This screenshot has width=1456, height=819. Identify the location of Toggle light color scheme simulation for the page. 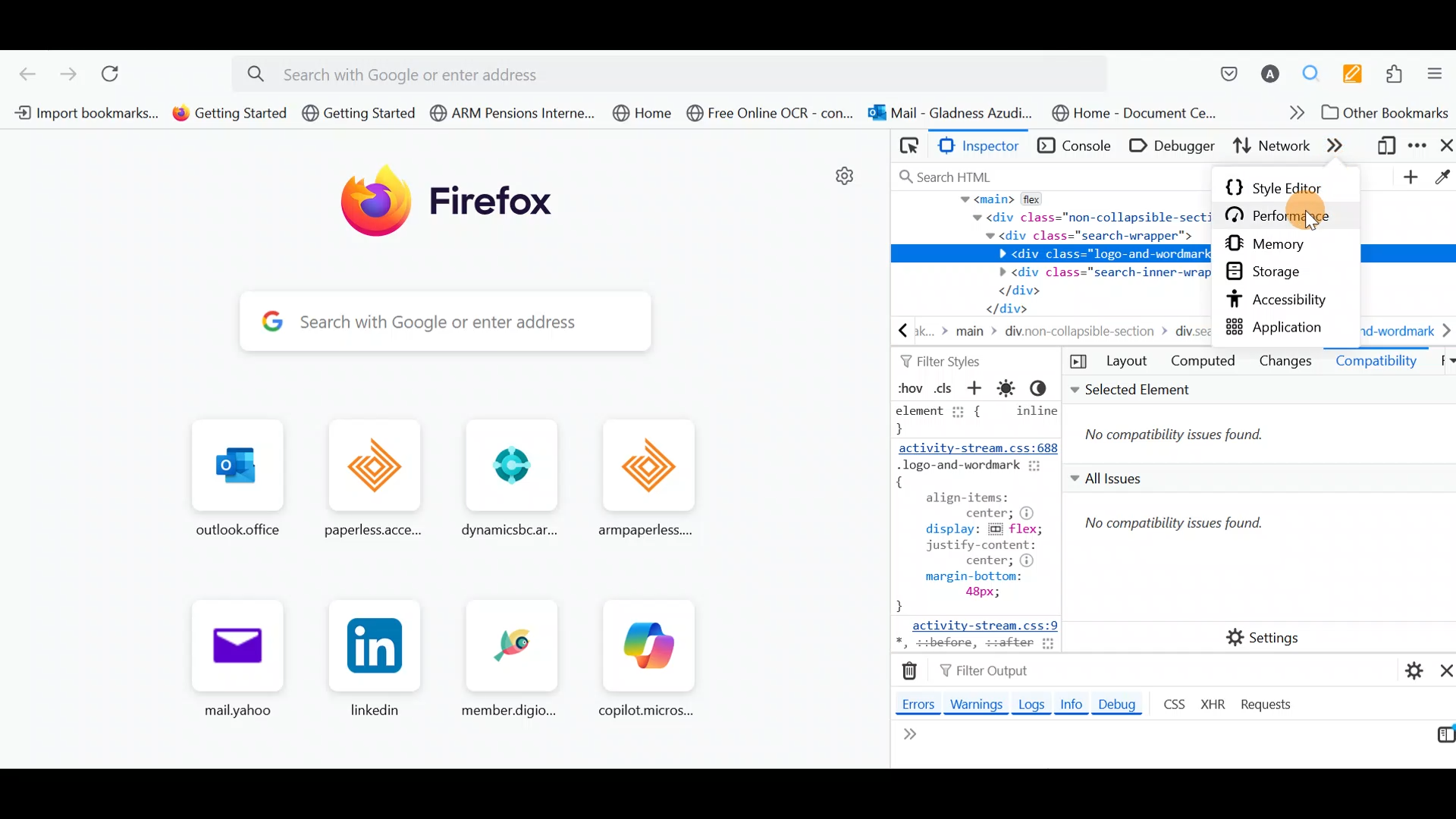
(1009, 388).